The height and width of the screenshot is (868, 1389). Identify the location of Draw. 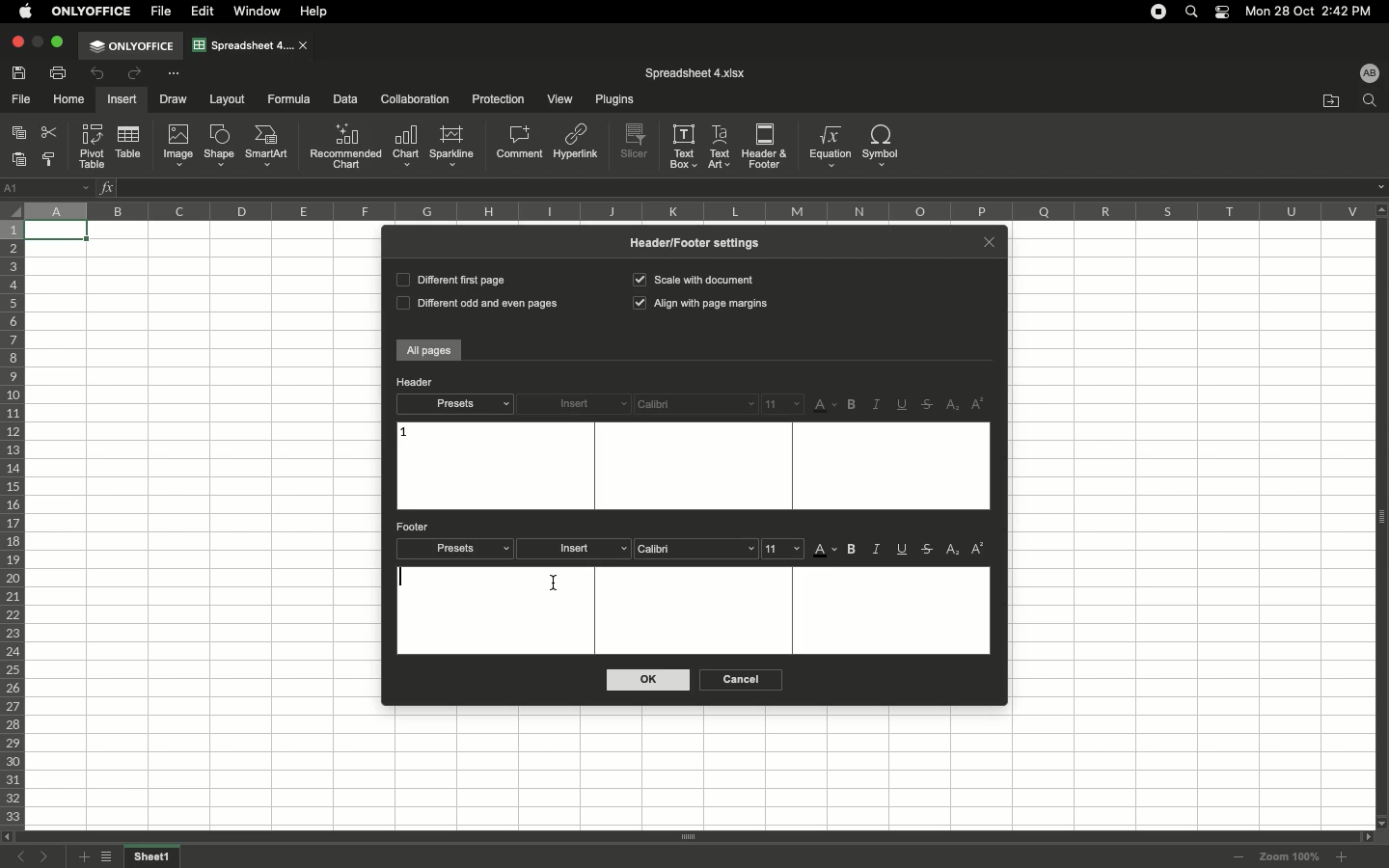
(176, 98).